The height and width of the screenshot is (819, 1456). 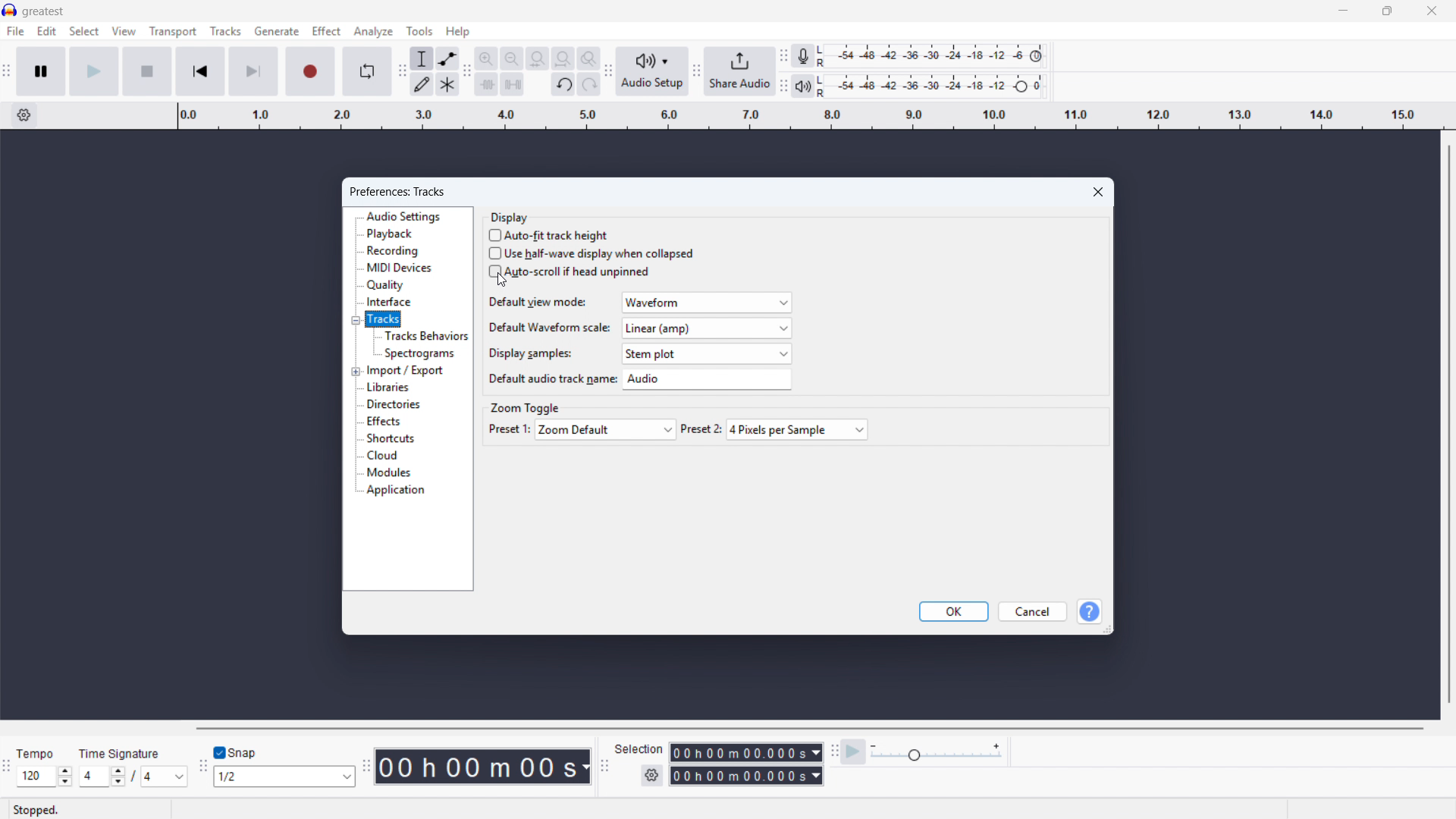 What do you see at coordinates (327, 31) in the screenshot?
I see `effect ` at bounding box center [327, 31].